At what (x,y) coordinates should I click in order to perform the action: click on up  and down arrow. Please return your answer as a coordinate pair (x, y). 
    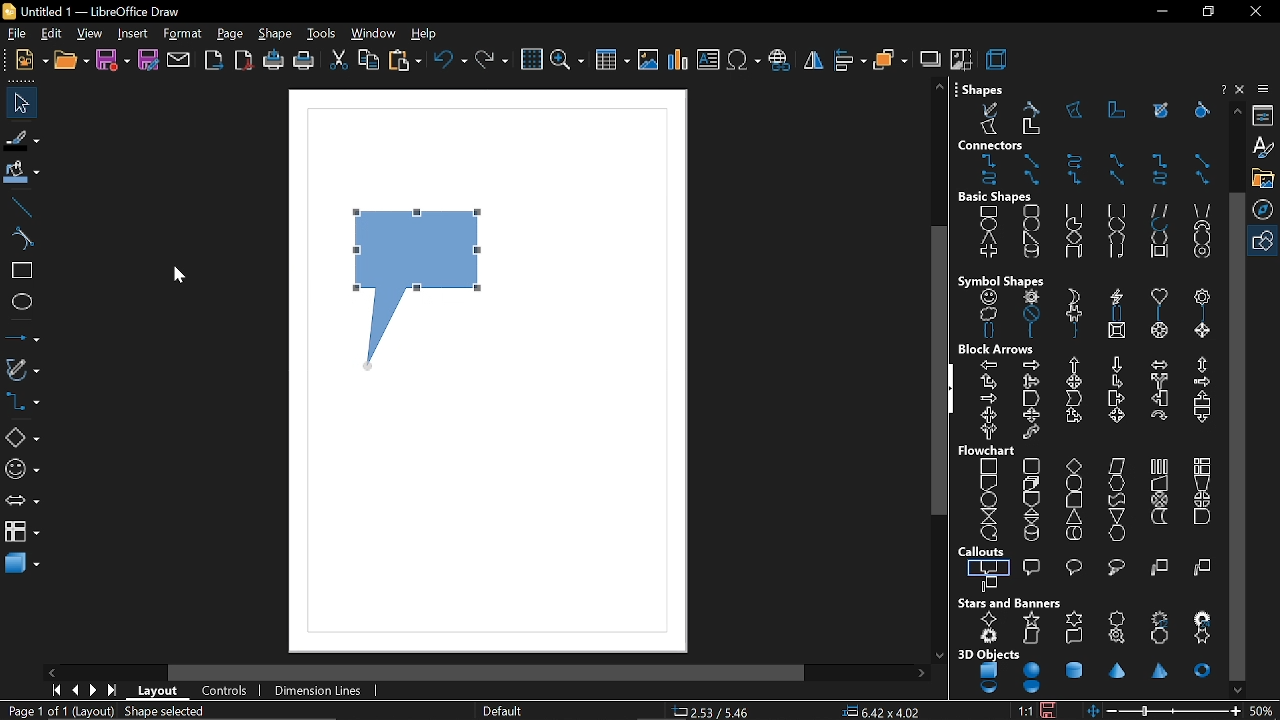
    Looking at the image, I should click on (1200, 365).